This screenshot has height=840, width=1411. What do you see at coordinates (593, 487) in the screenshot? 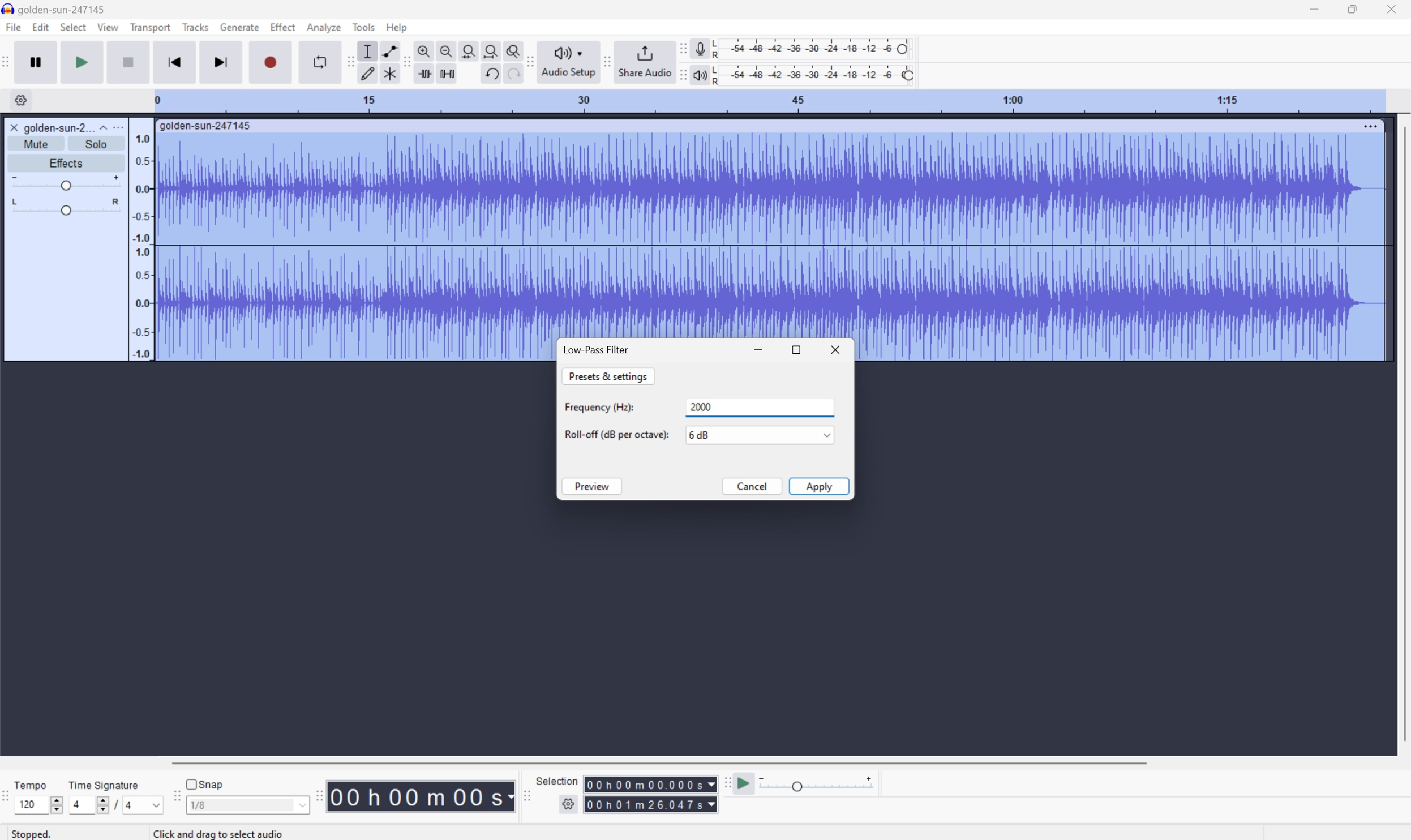
I see `Preview` at bounding box center [593, 487].